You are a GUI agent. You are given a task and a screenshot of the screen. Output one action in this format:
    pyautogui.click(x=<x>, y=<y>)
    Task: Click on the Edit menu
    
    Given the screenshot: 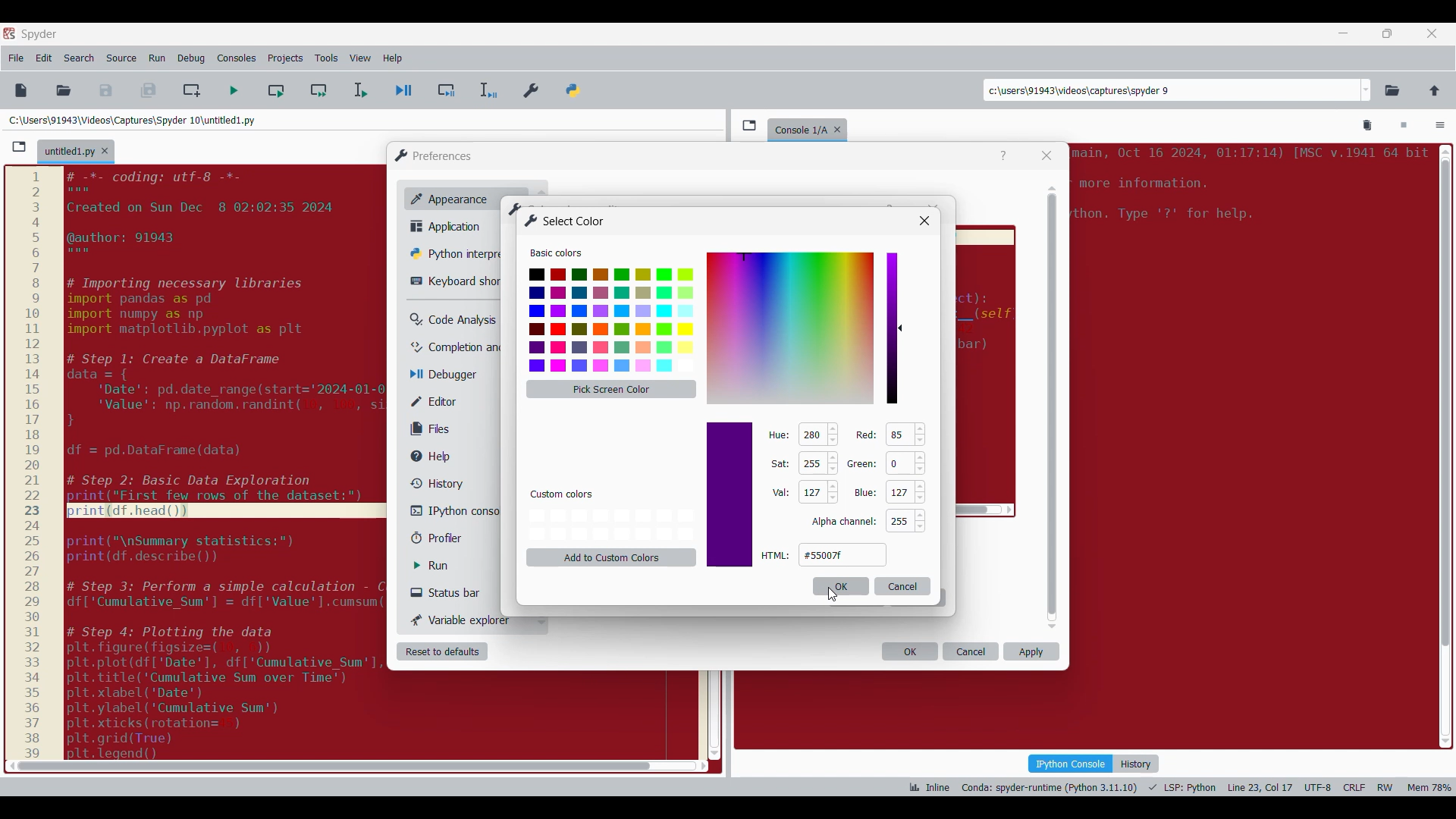 What is the action you would take?
    pyautogui.click(x=44, y=58)
    